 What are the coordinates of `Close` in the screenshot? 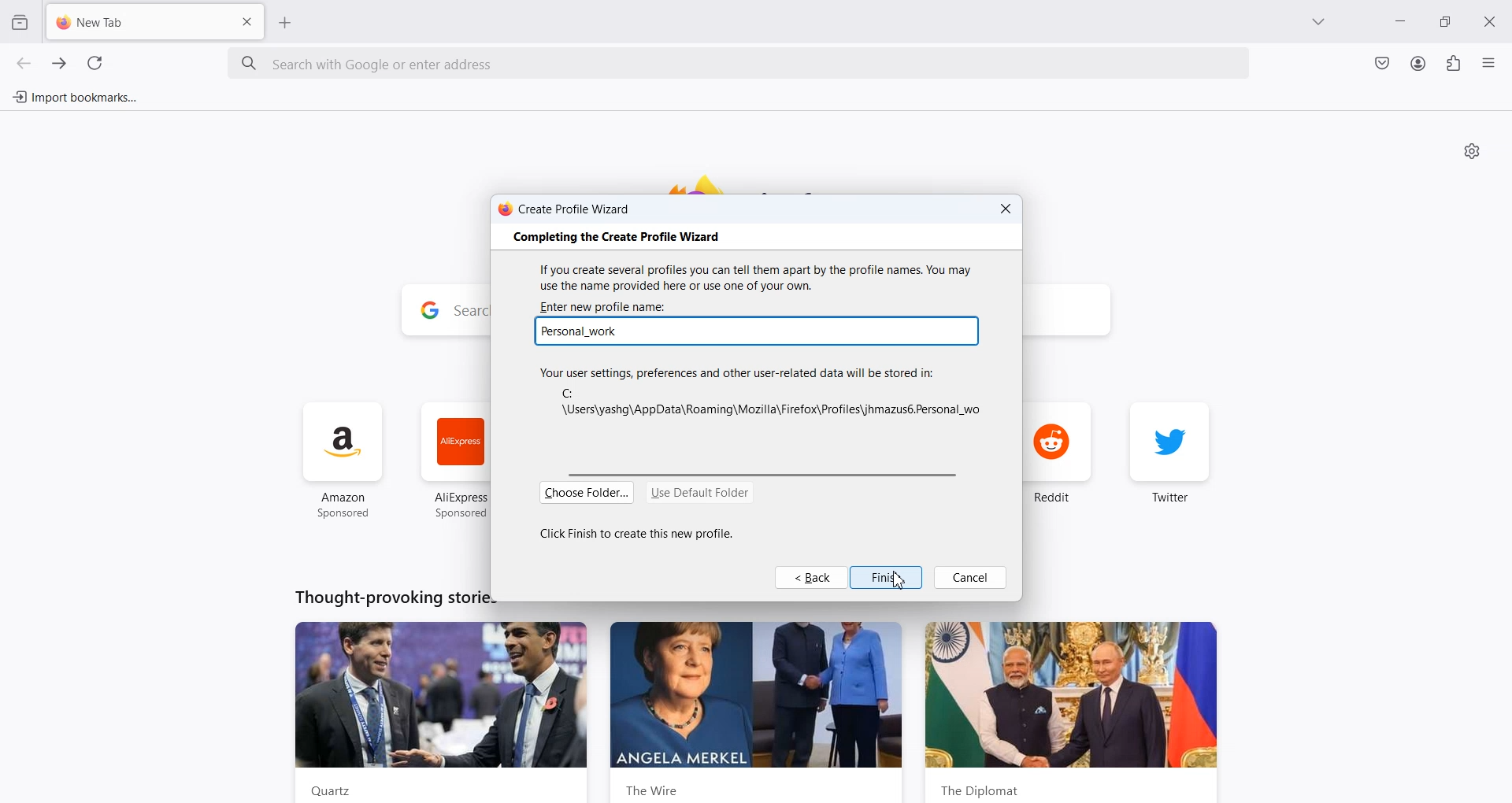 It's located at (1005, 208).